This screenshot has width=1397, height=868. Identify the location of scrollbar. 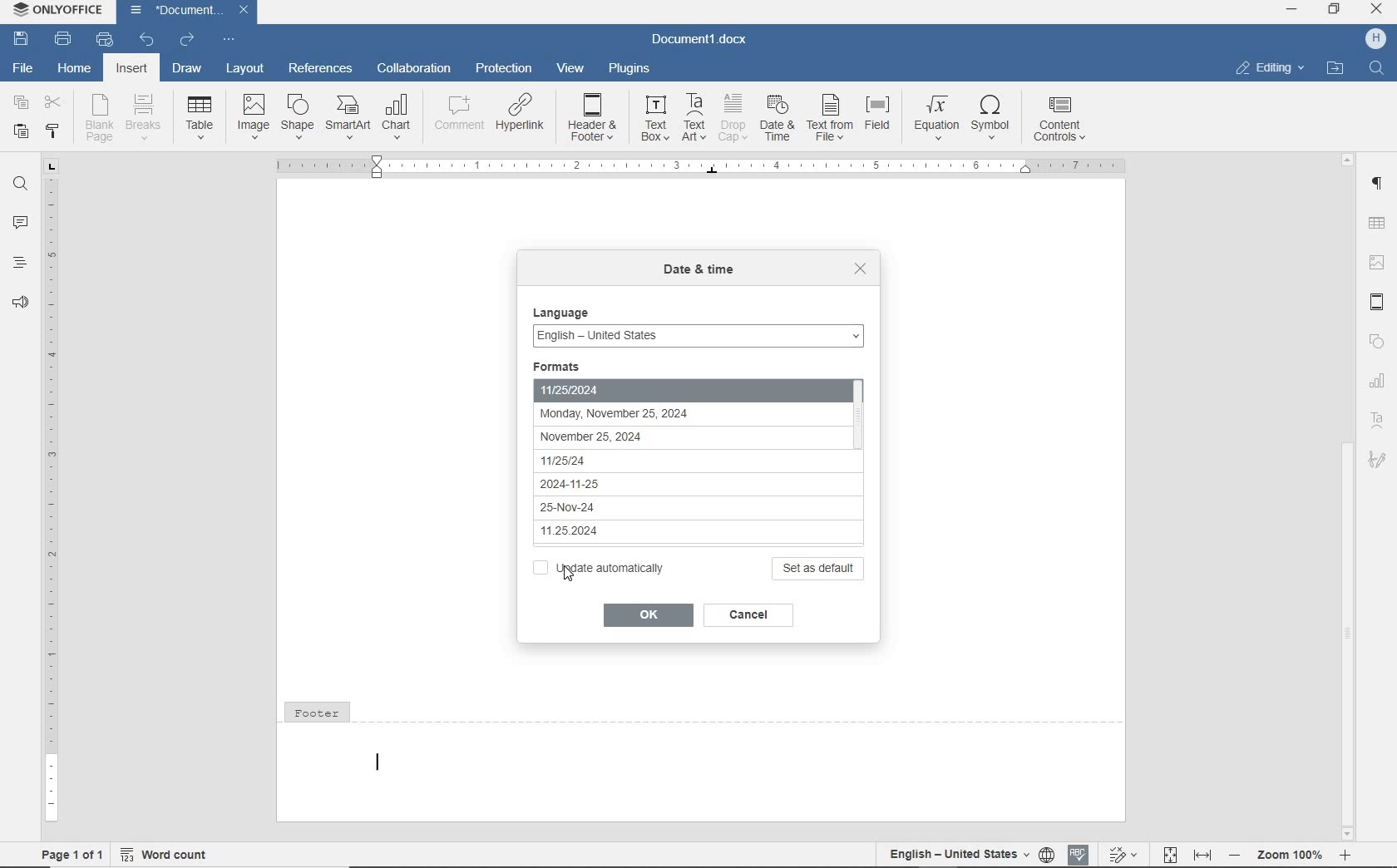
(1348, 496).